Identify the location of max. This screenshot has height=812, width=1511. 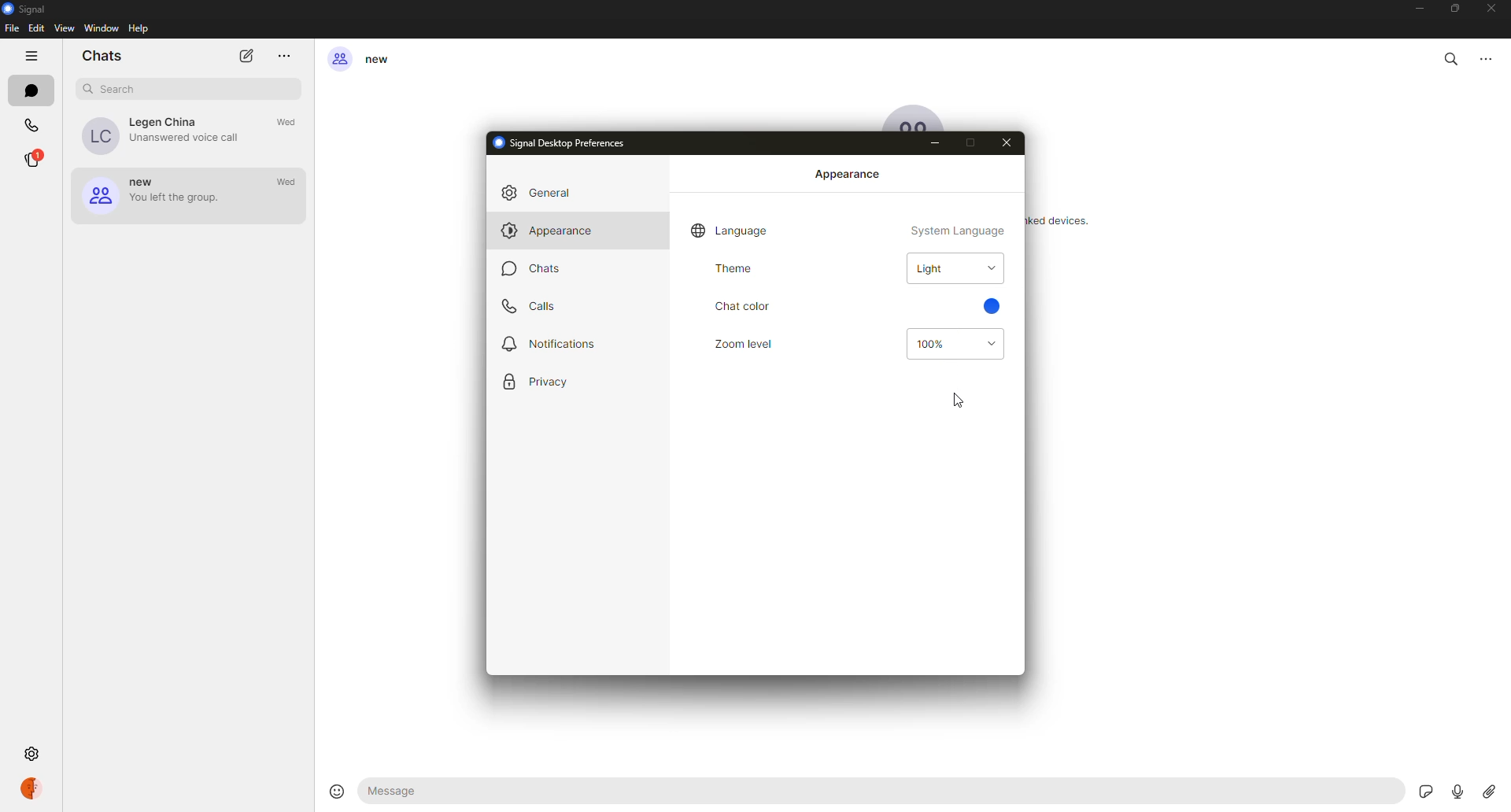
(974, 142).